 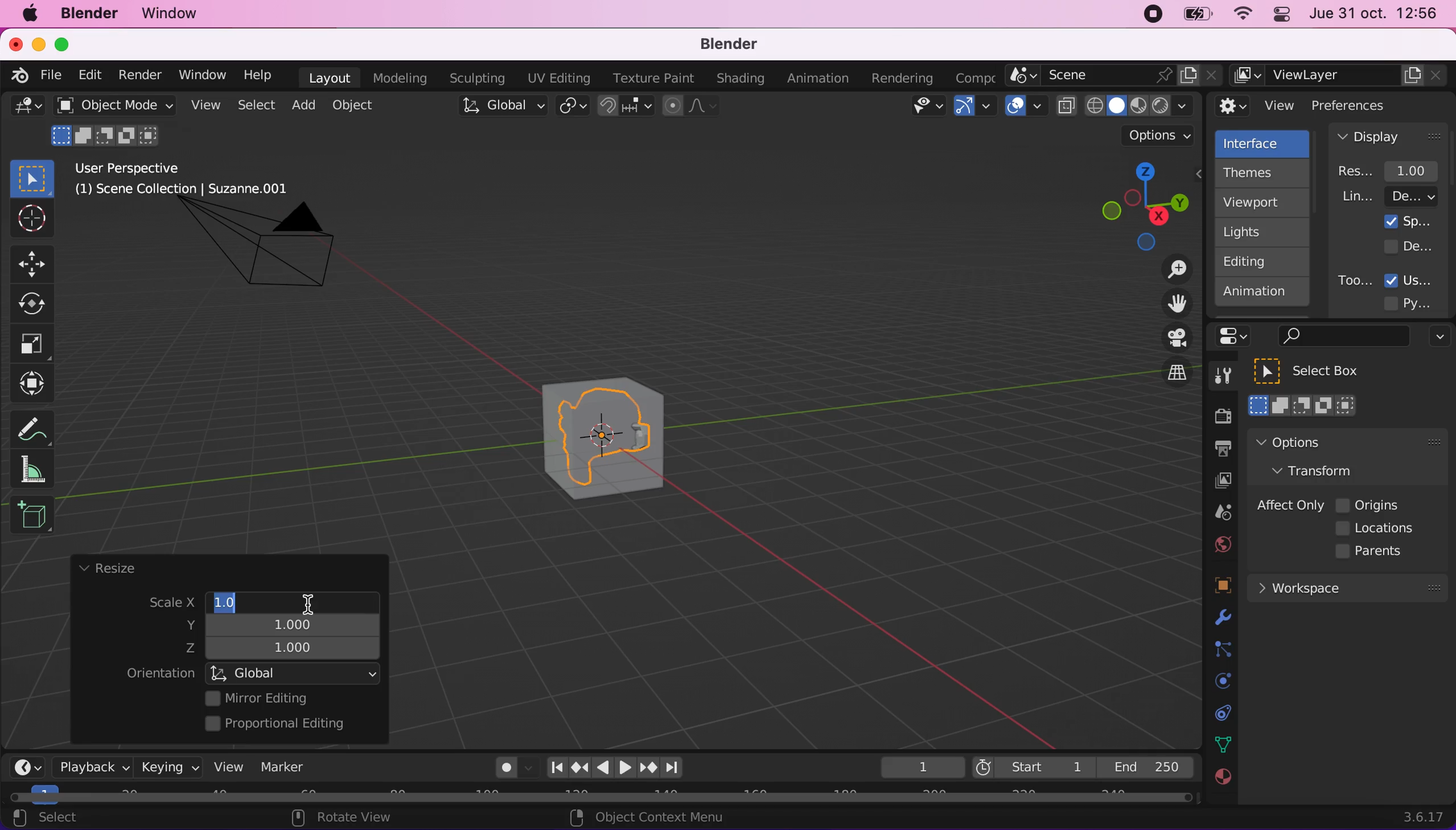 What do you see at coordinates (1324, 470) in the screenshot?
I see `transform` at bounding box center [1324, 470].